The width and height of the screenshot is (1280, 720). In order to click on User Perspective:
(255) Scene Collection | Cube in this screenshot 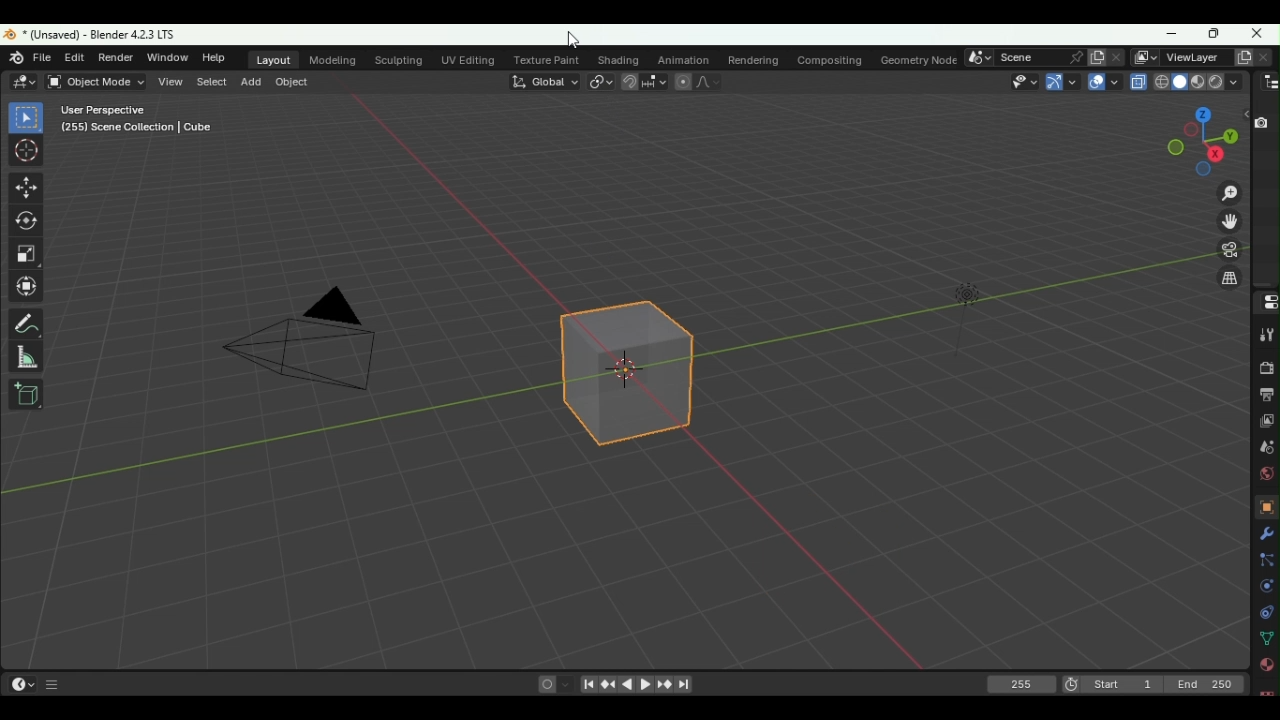, I will do `click(137, 119)`.